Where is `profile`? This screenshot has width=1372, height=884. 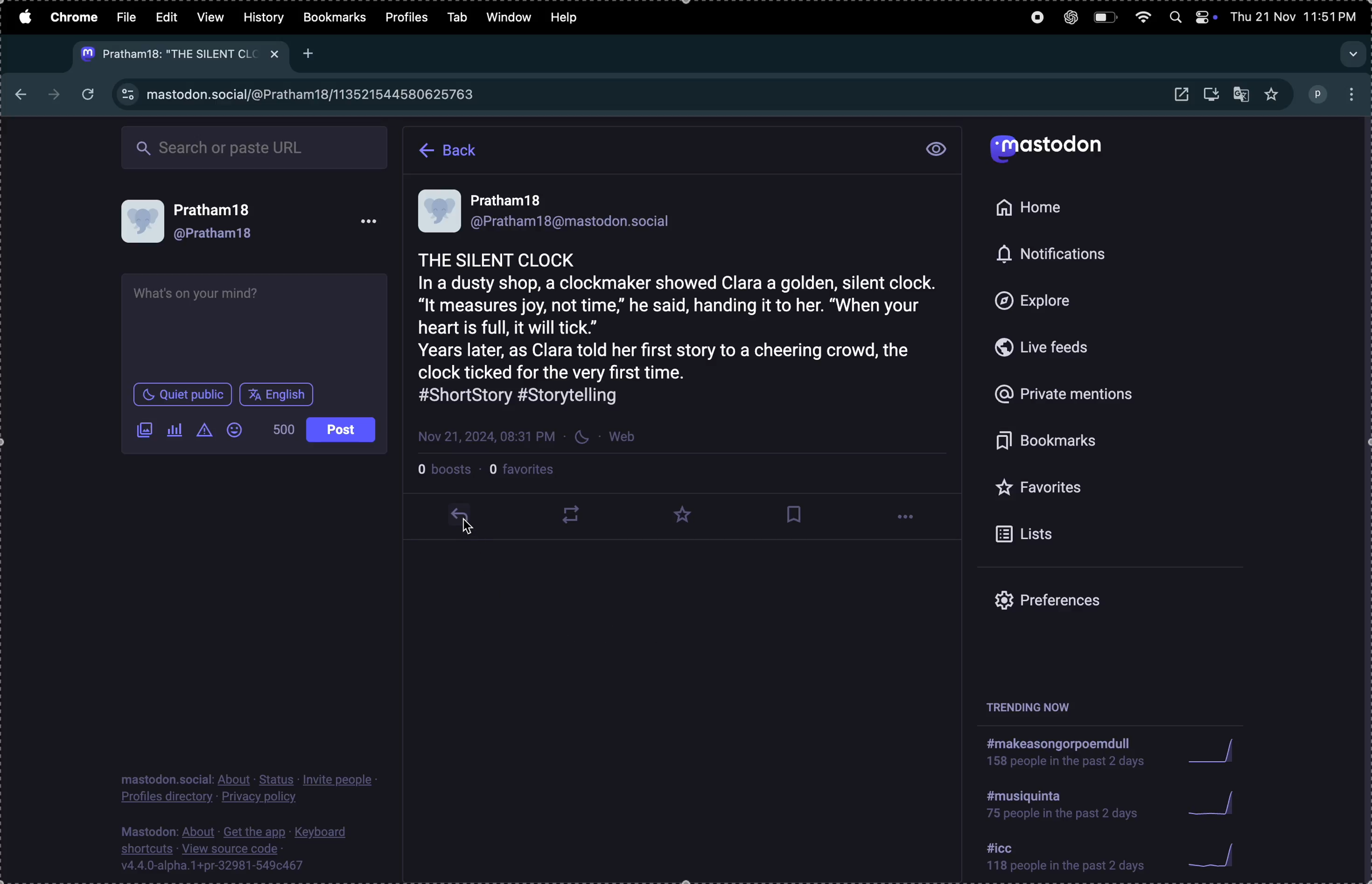 profile is located at coordinates (409, 18).